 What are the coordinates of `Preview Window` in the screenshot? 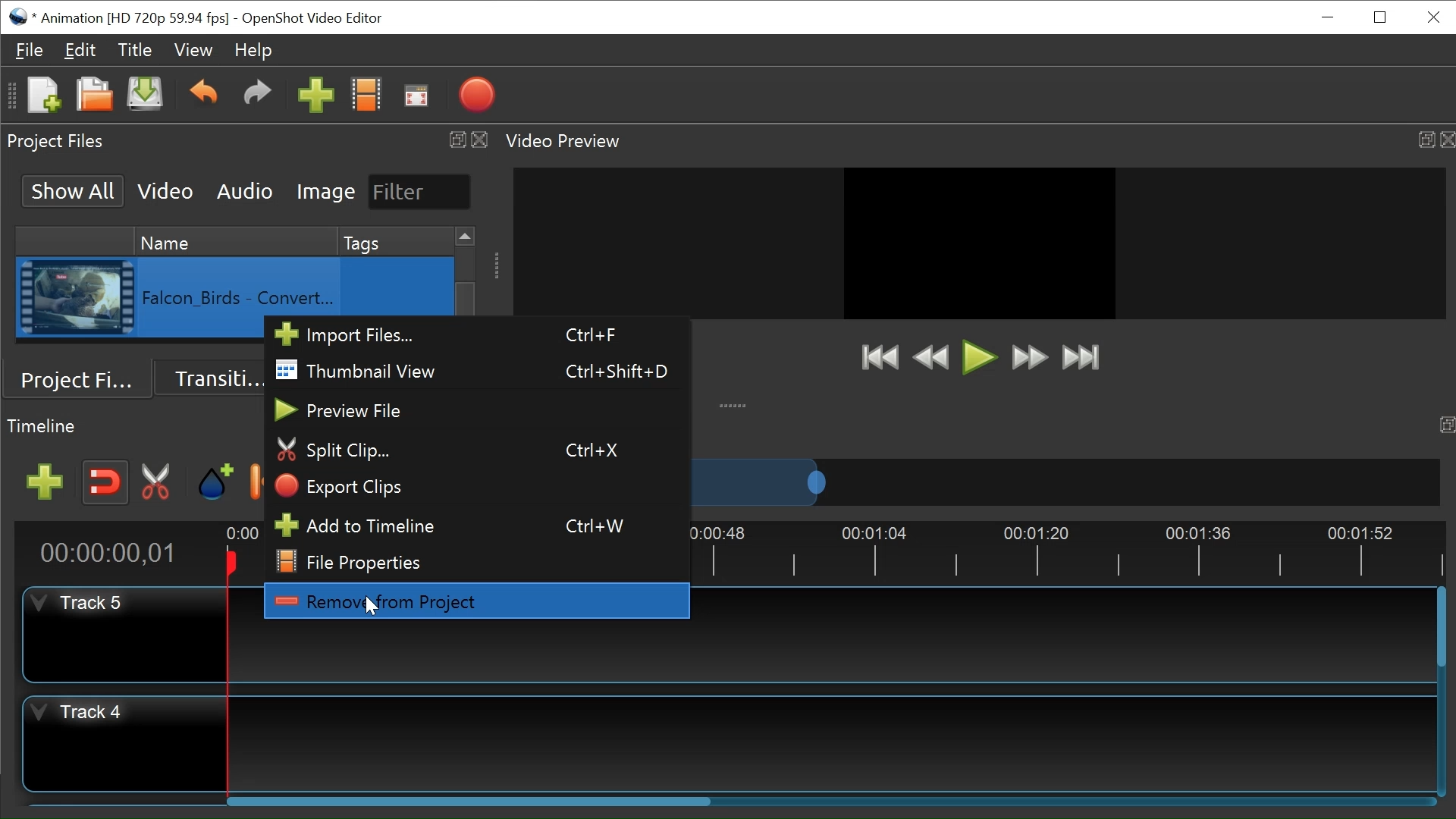 It's located at (980, 243).